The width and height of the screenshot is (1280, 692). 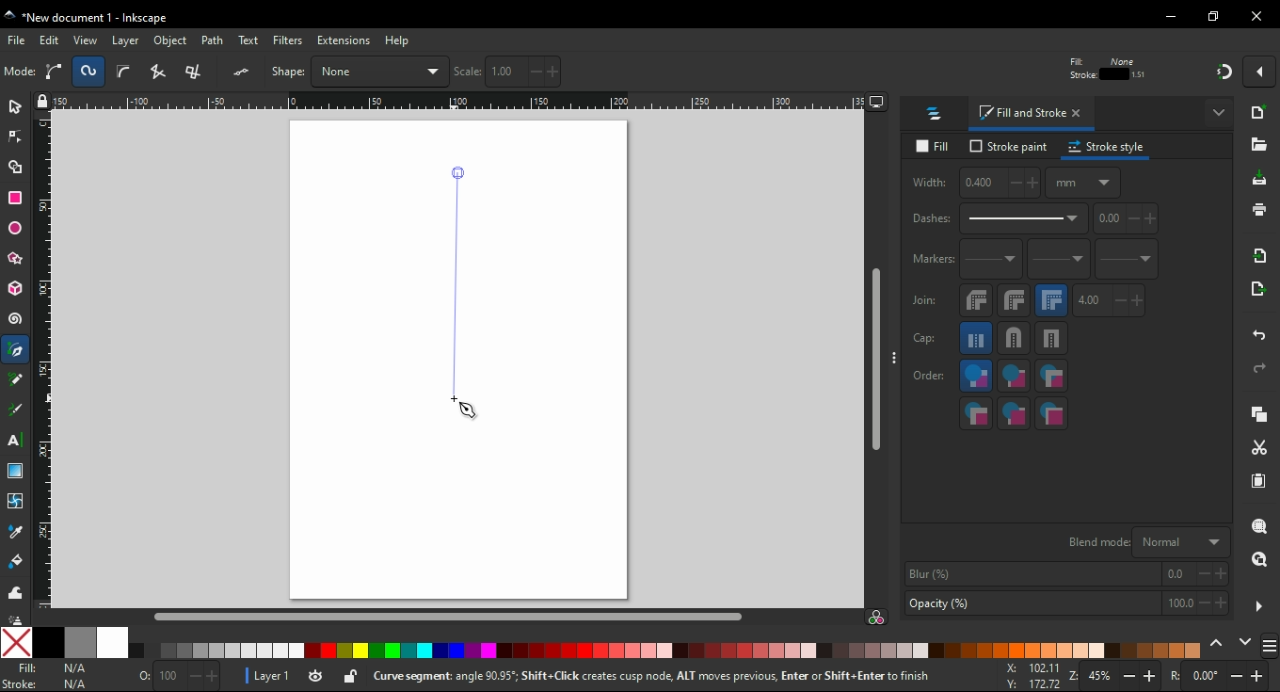 I want to click on mesh, so click(x=15, y=500).